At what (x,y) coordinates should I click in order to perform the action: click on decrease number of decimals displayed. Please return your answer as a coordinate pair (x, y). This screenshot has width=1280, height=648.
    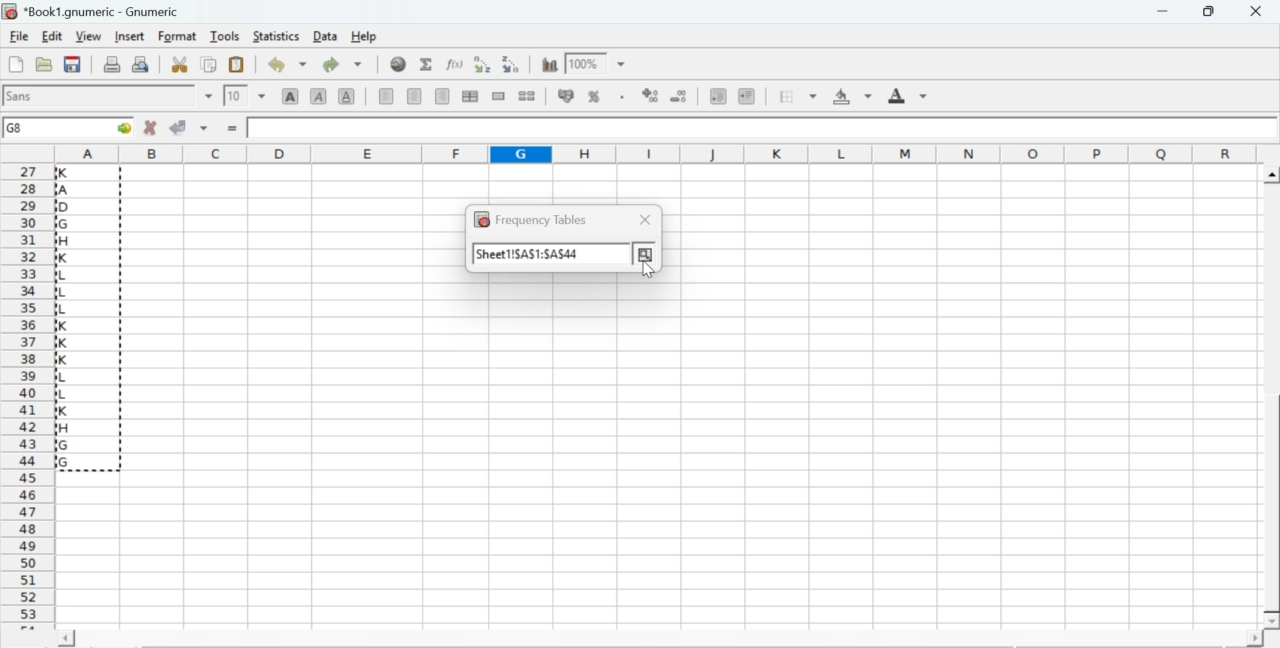
    Looking at the image, I should click on (678, 97).